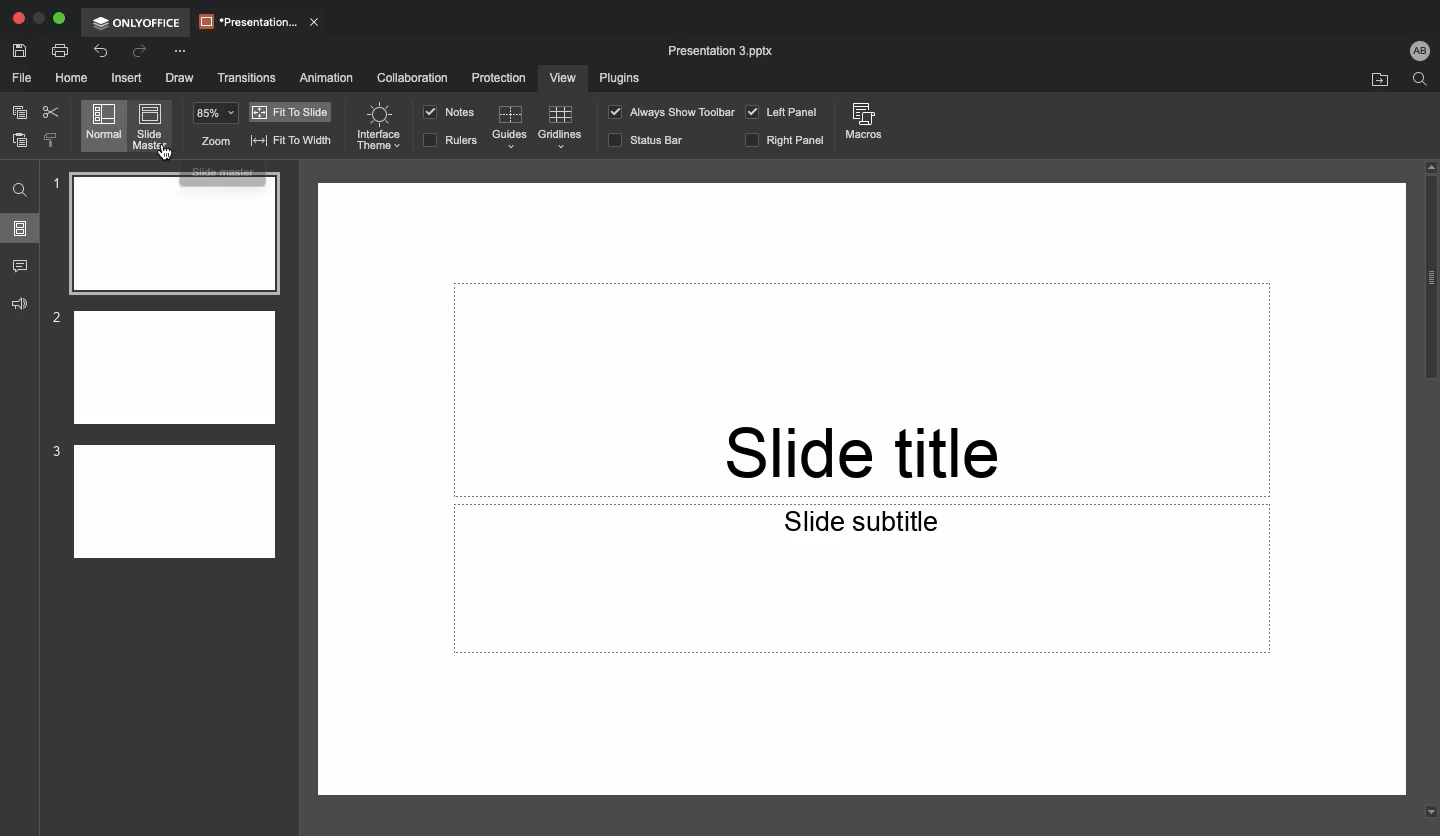 This screenshot has height=836, width=1440. Describe the element at coordinates (786, 142) in the screenshot. I see `Right panel` at that location.